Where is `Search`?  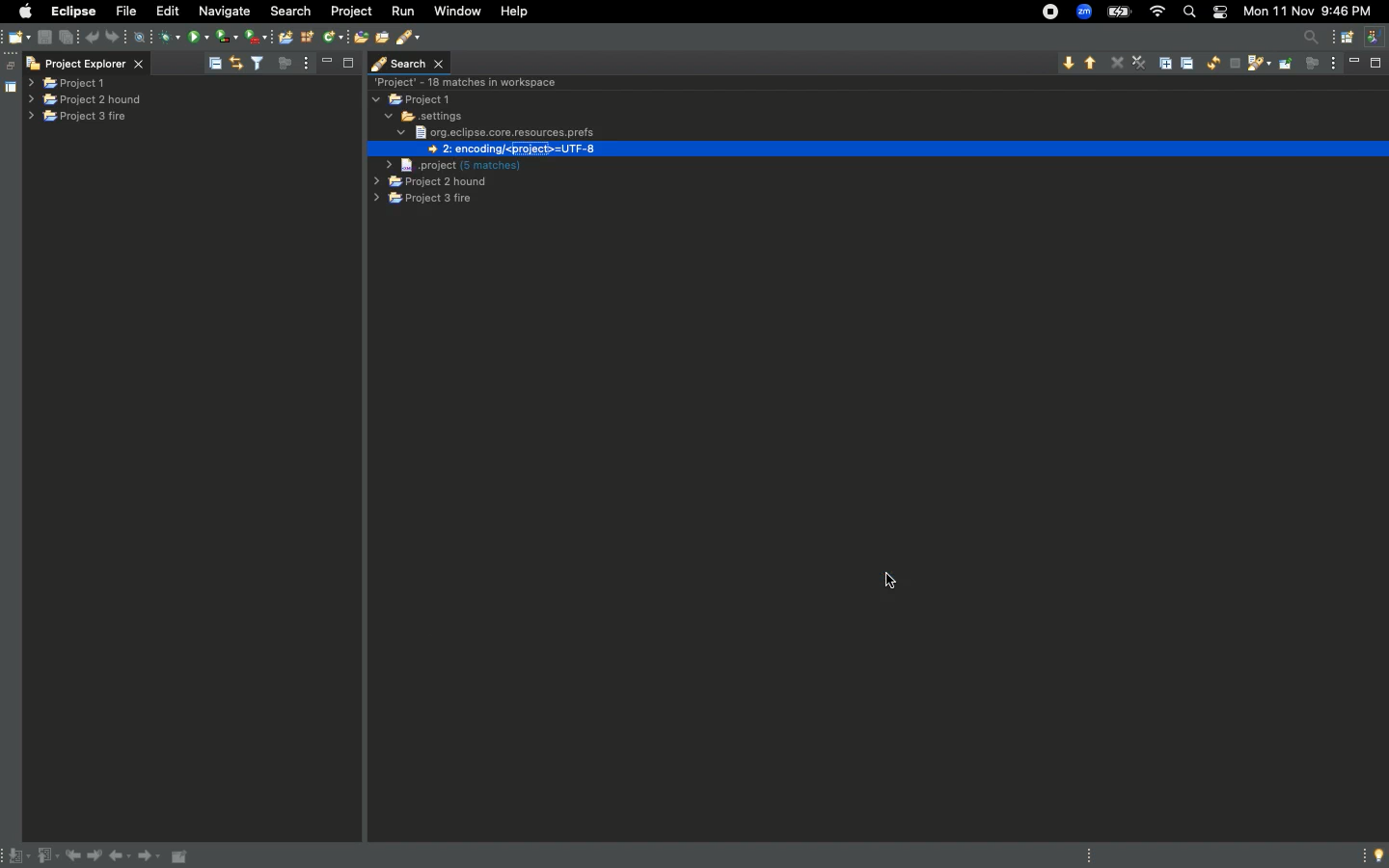 Search is located at coordinates (293, 10).